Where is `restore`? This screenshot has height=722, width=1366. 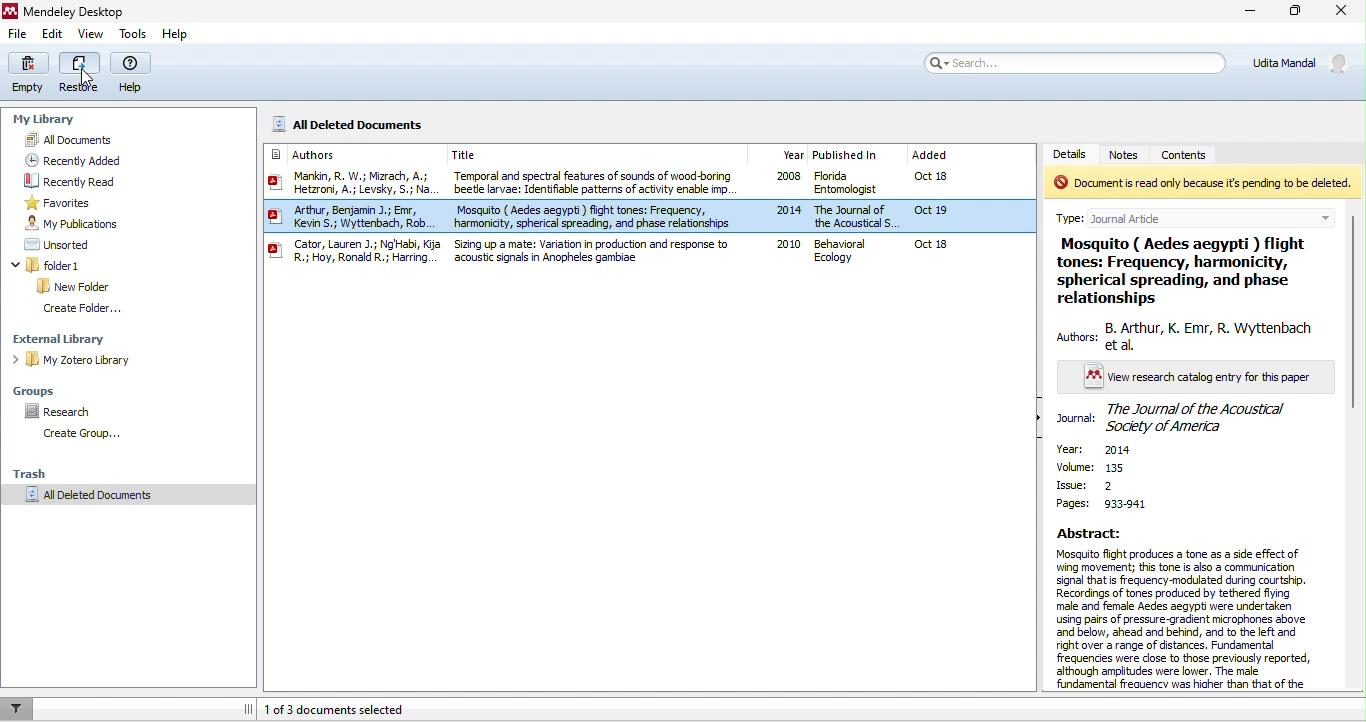 restore is located at coordinates (82, 73).